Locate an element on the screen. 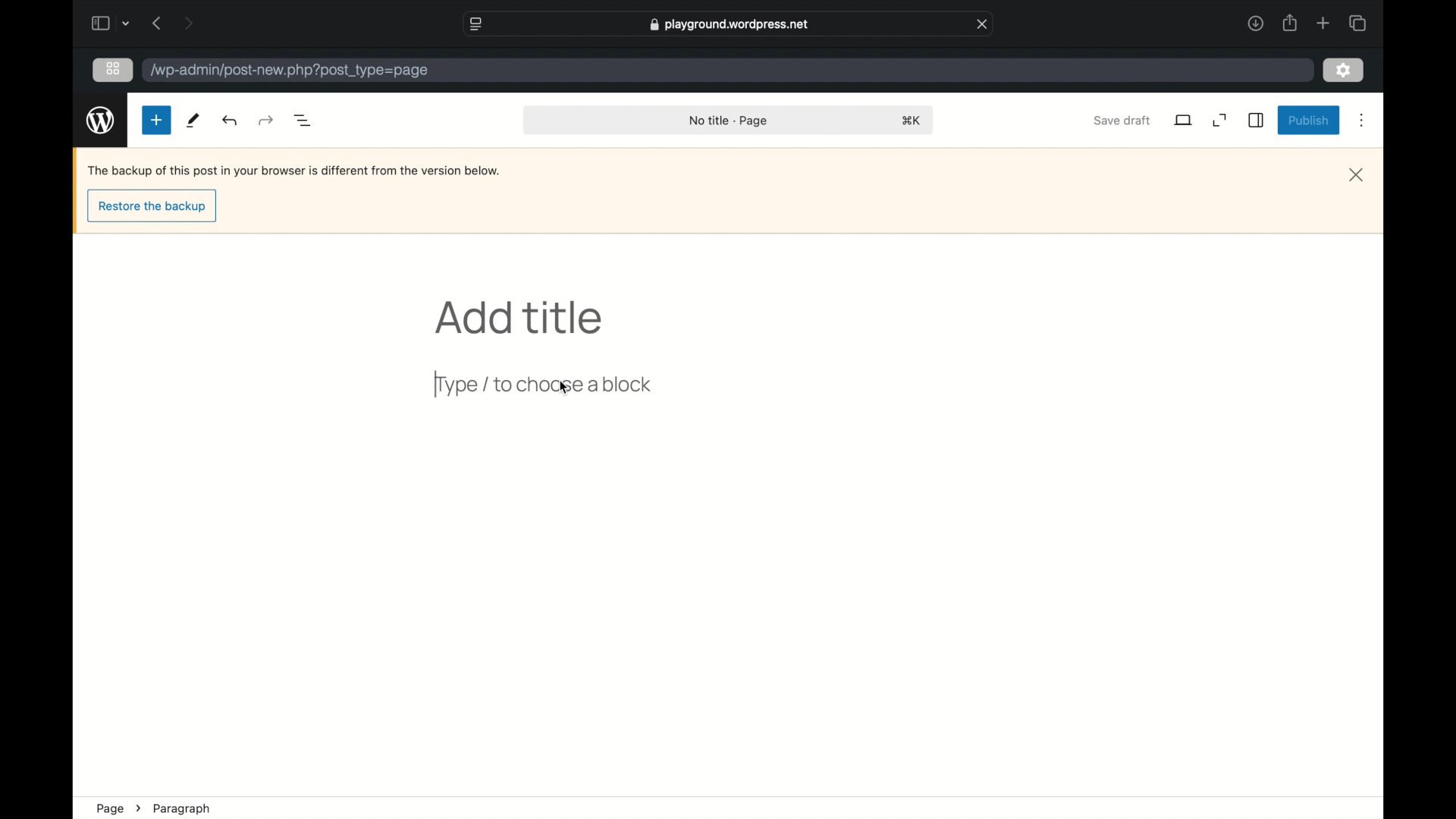 The width and height of the screenshot is (1456, 819). tools is located at coordinates (192, 121).